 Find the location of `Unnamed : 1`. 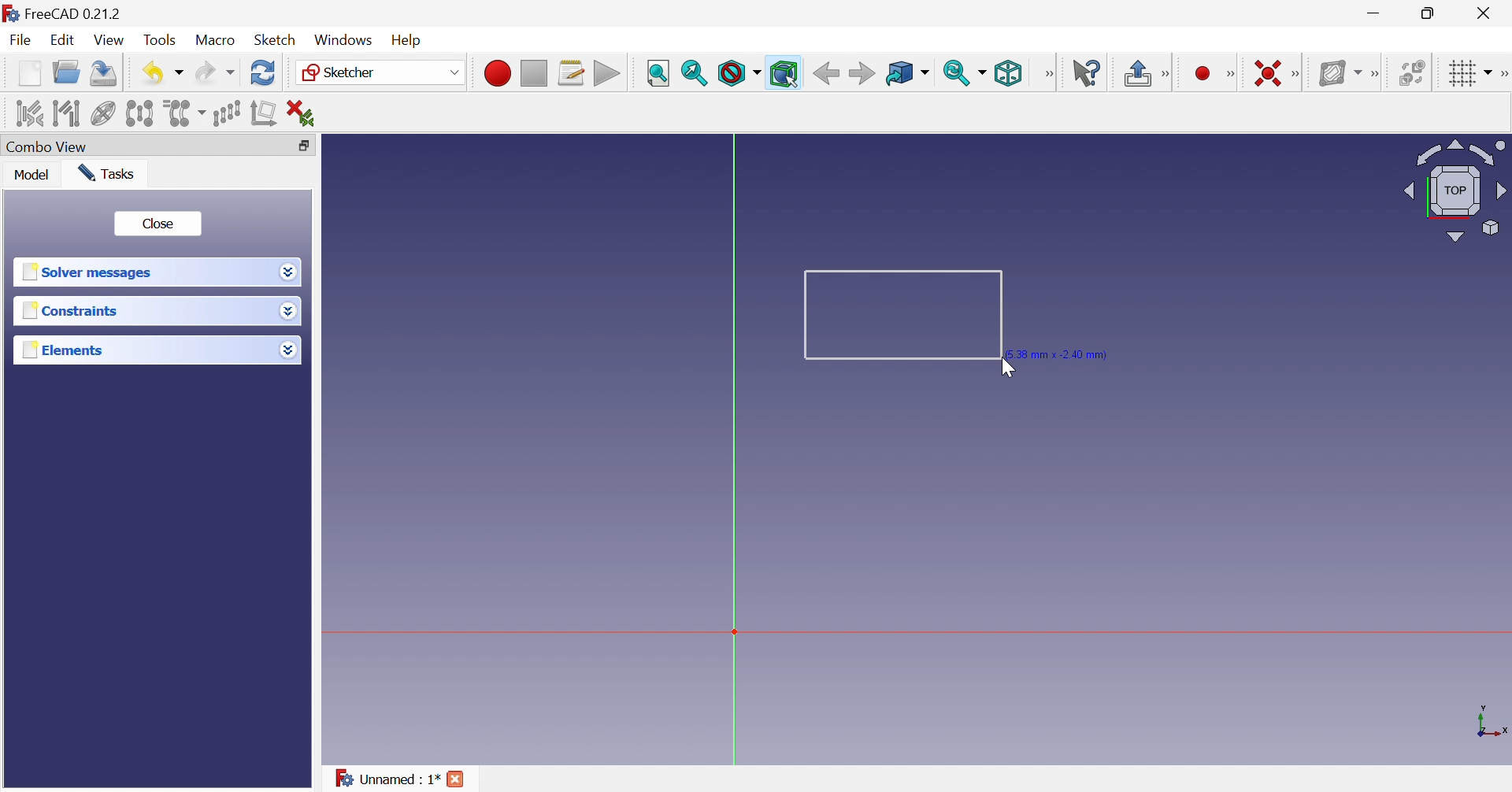

Unnamed : 1 is located at coordinates (387, 779).